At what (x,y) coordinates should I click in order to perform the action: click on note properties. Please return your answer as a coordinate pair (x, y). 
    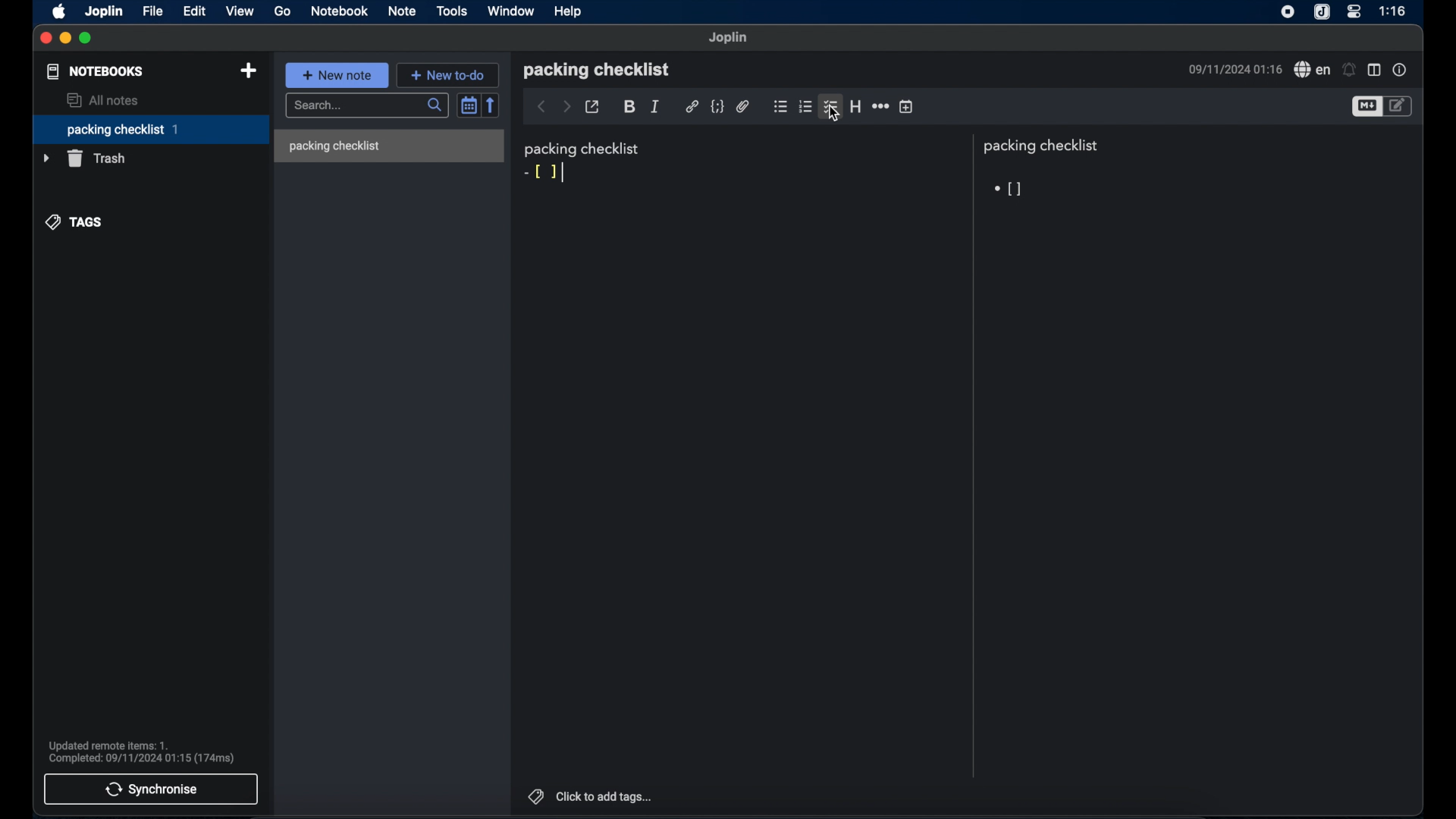
    Looking at the image, I should click on (1401, 70).